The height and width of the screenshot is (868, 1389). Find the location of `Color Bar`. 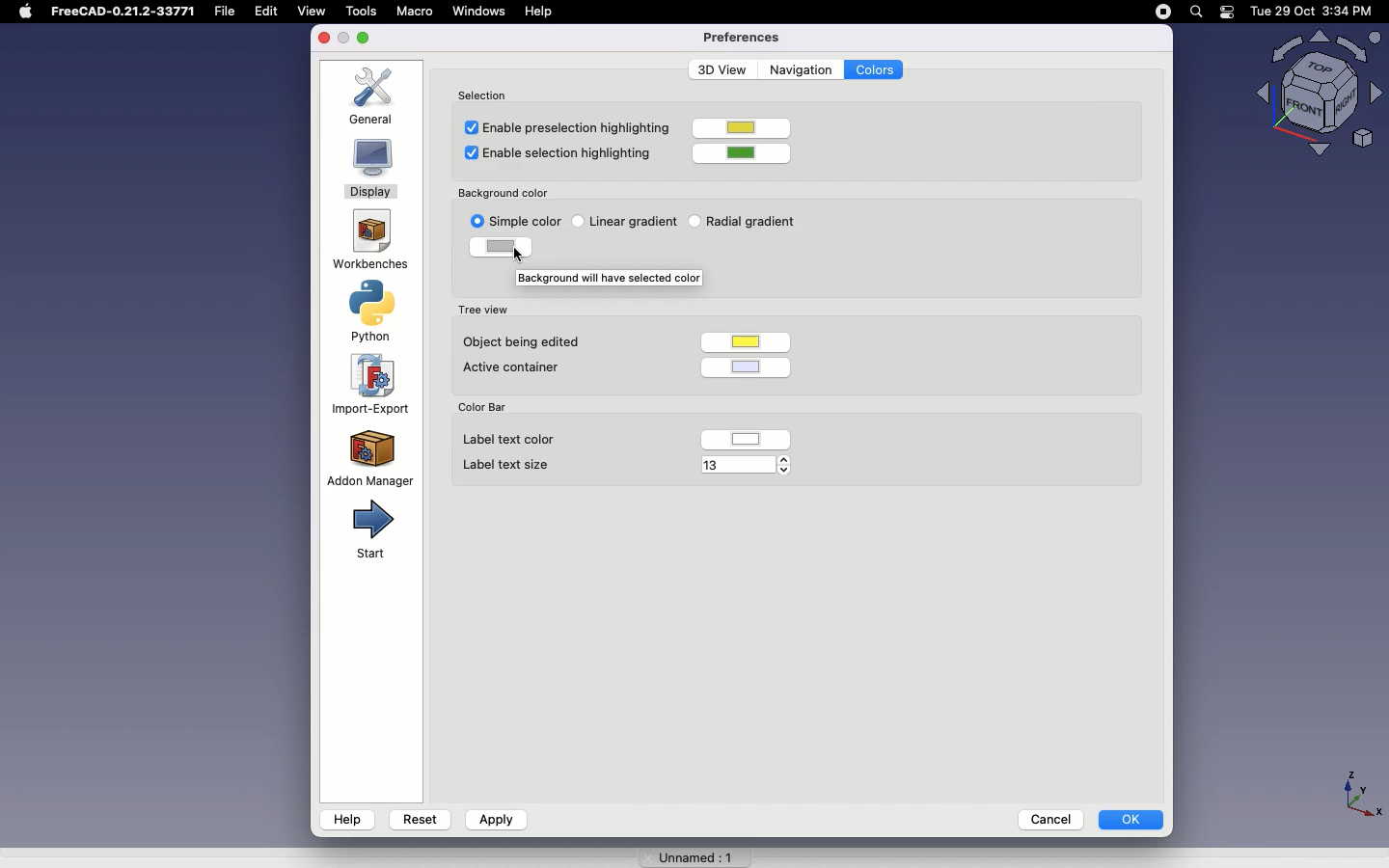

Color Bar is located at coordinates (490, 407).